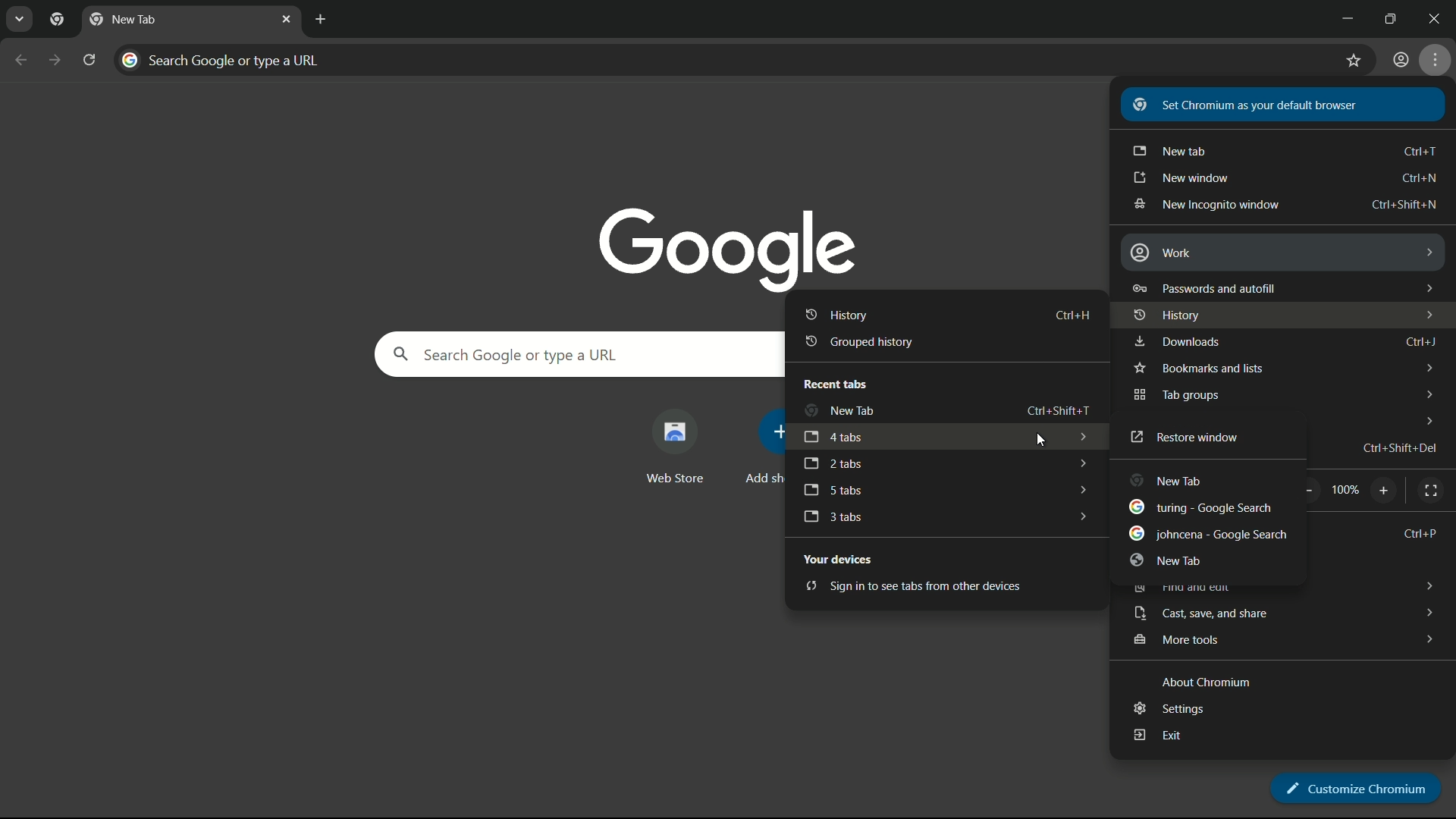 The height and width of the screenshot is (819, 1456). I want to click on close app, so click(1438, 17).